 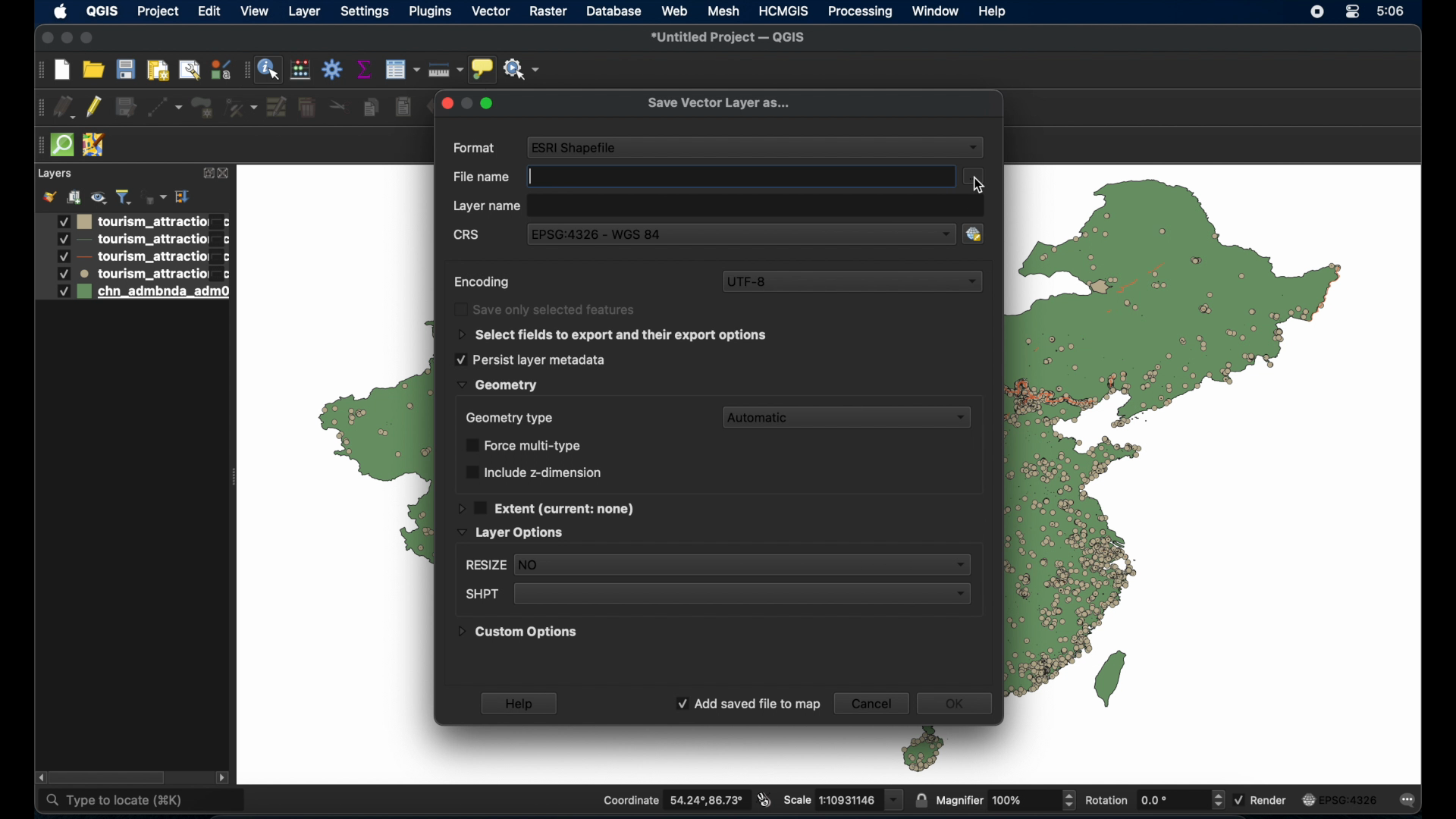 I want to click on format, so click(x=475, y=149).